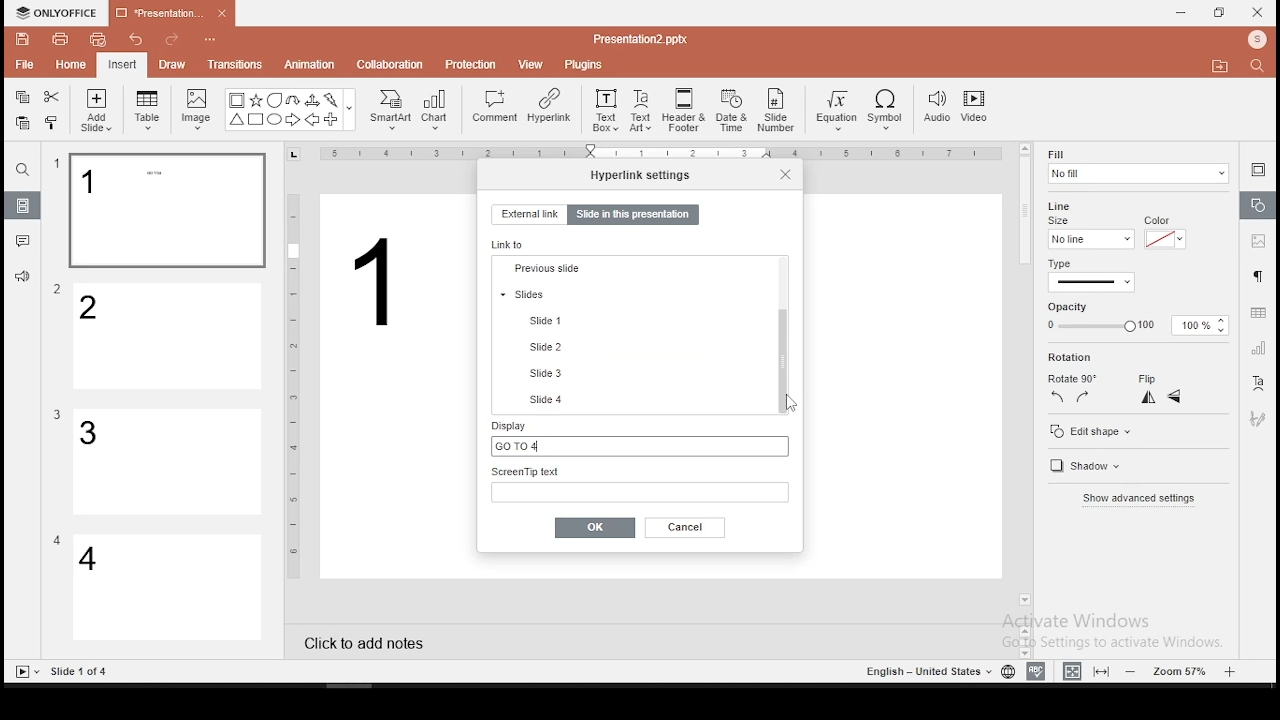 The image size is (1280, 720). I want to click on zoom level, so click(1183, 670).